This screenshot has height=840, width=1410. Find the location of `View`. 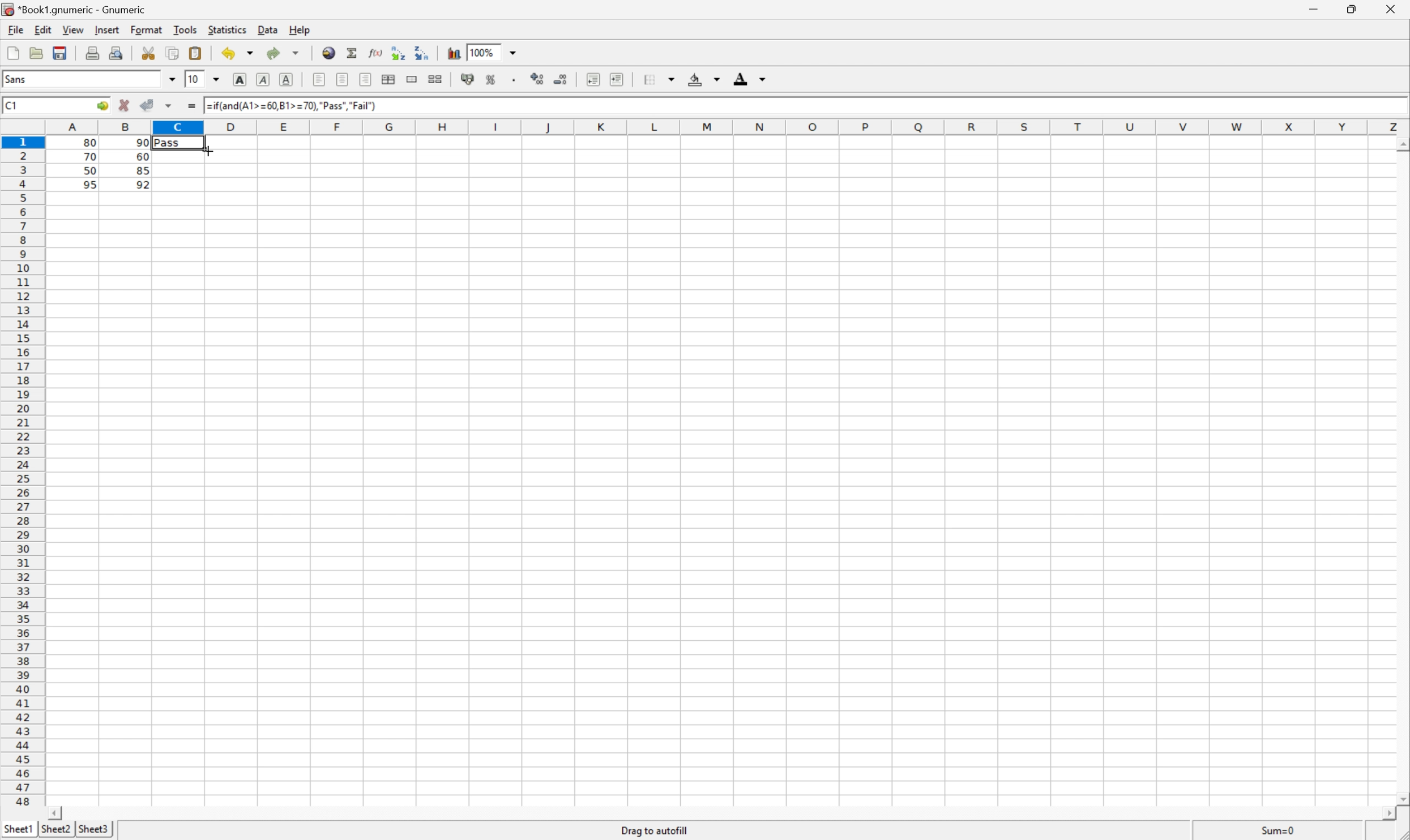

View is located at coordinates (74, 29).